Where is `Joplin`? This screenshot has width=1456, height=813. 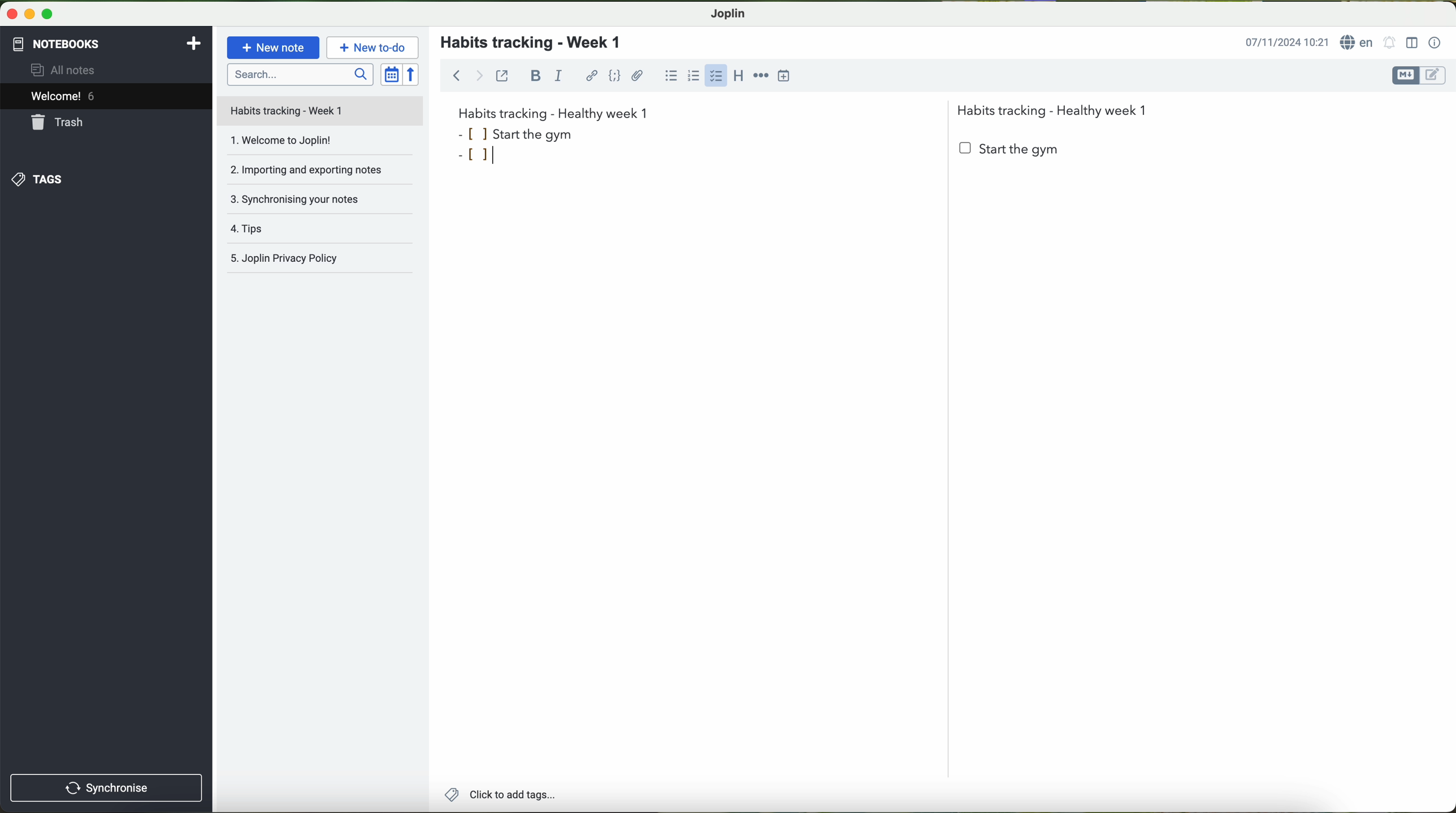
Joplin is located at coordinates (727, 14).